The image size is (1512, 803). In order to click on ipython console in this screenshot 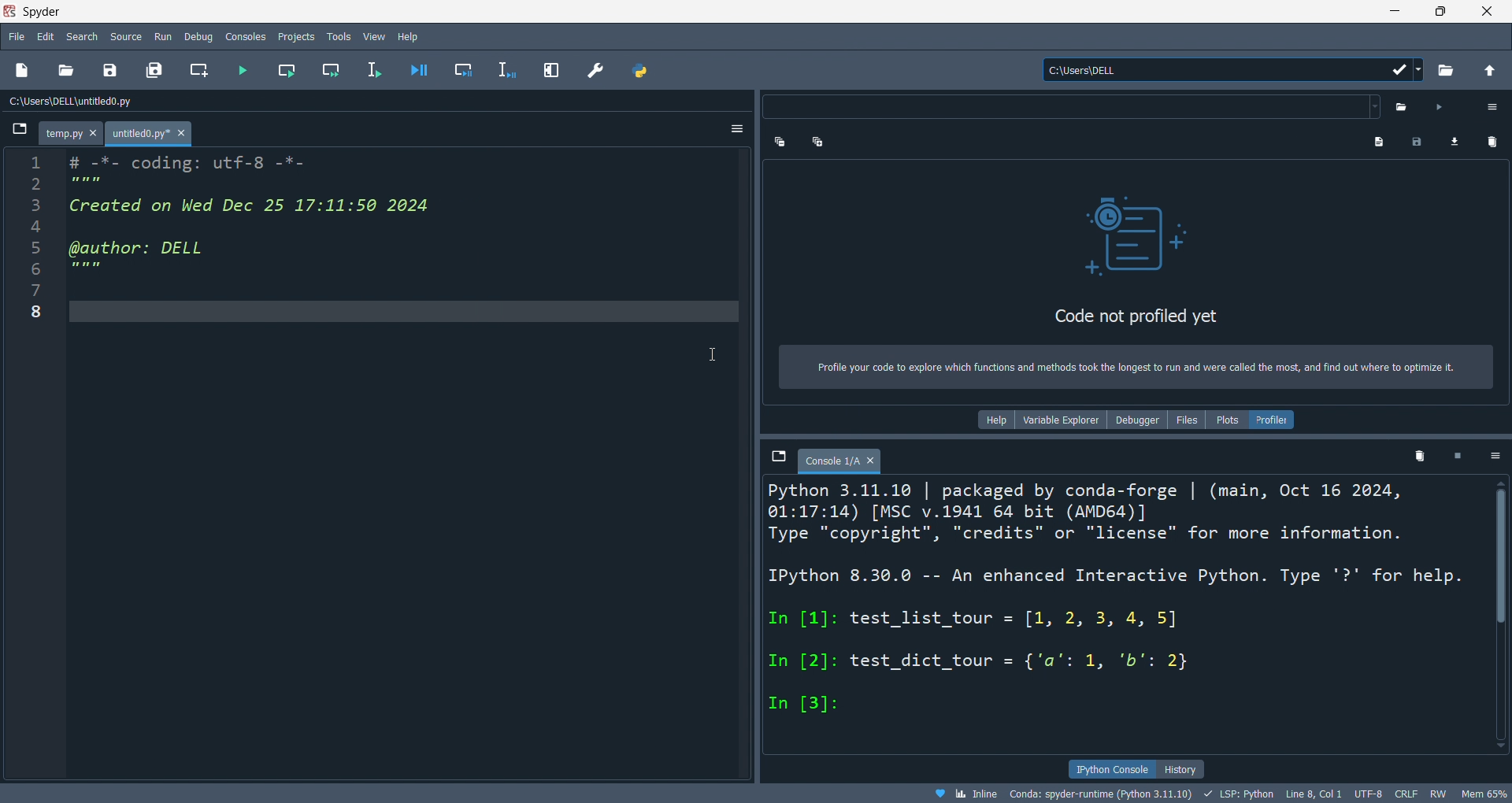, I will do `click(1114, 770)`.